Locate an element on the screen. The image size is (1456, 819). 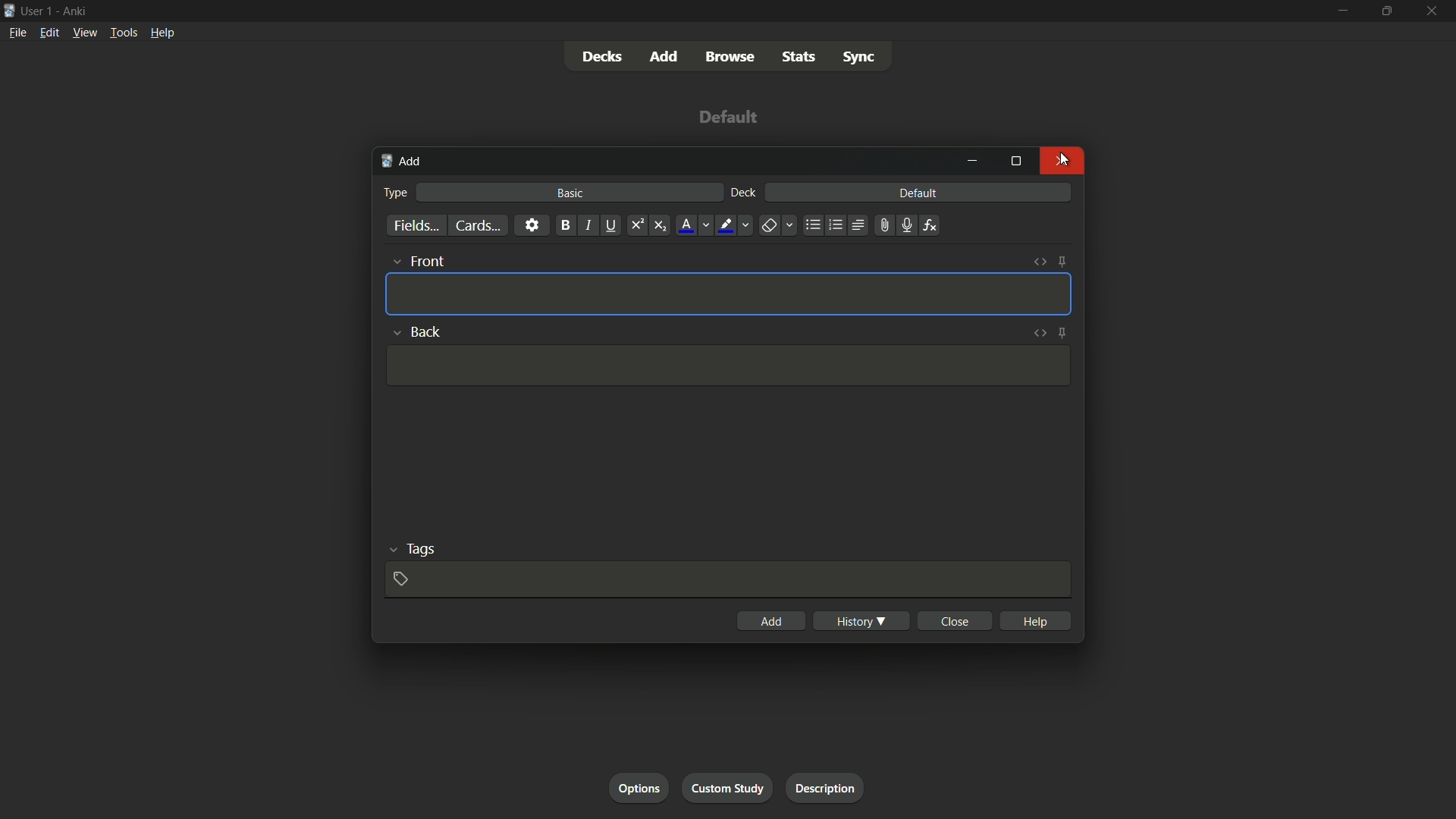
settings is located at coordinates (531, 225).